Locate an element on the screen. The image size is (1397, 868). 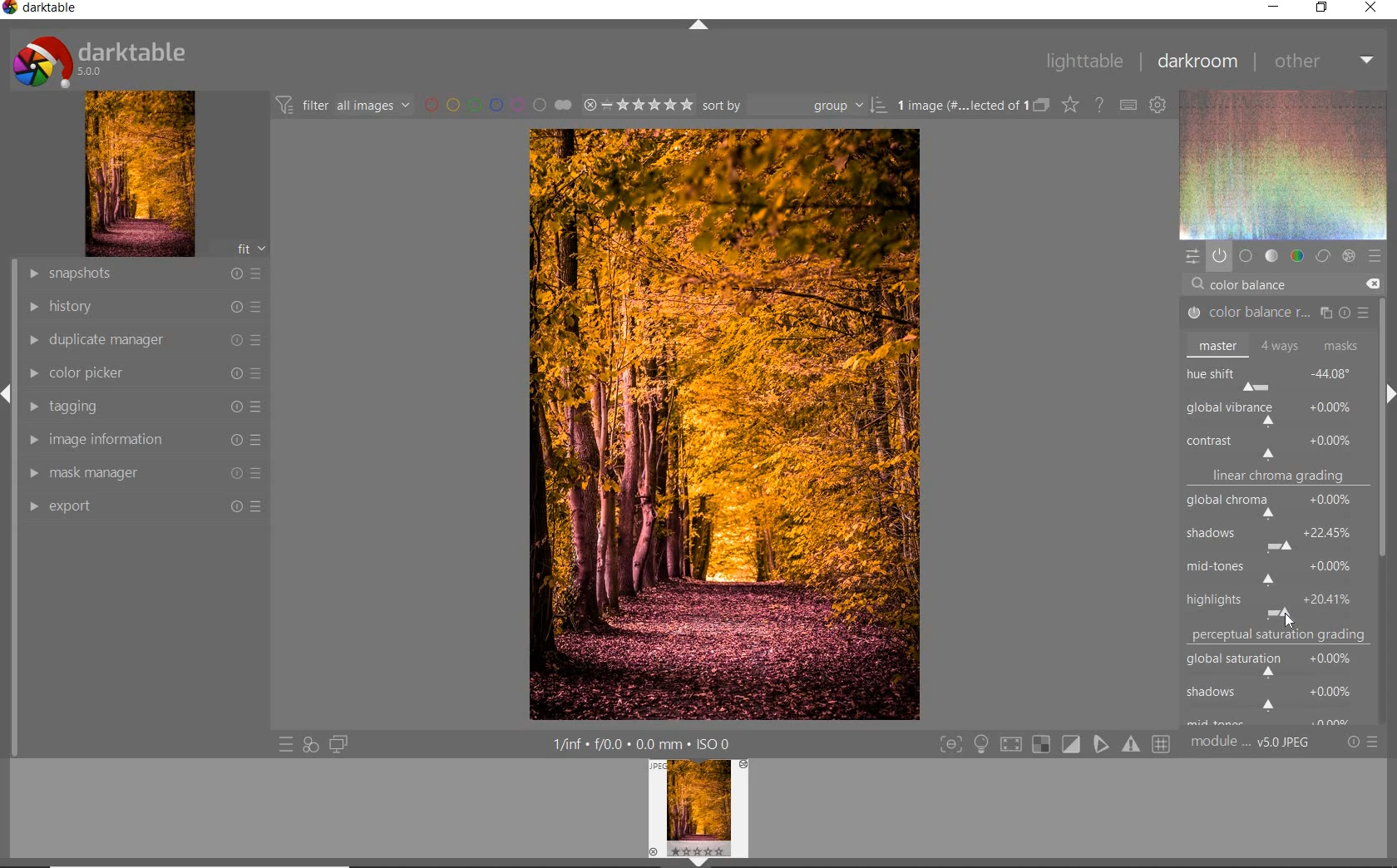
quick access panel is located at coordinates (1190, 256).